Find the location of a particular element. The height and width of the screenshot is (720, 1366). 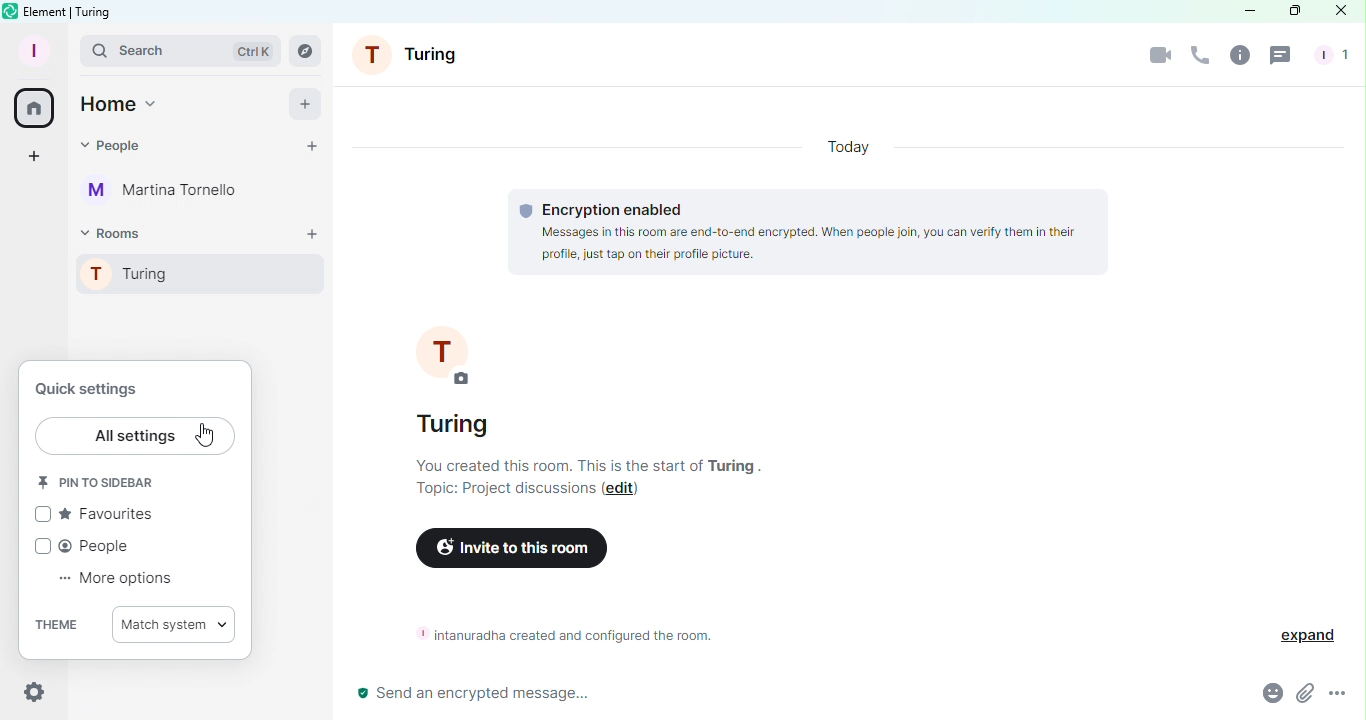

turing is located at coordinates (735, 465).